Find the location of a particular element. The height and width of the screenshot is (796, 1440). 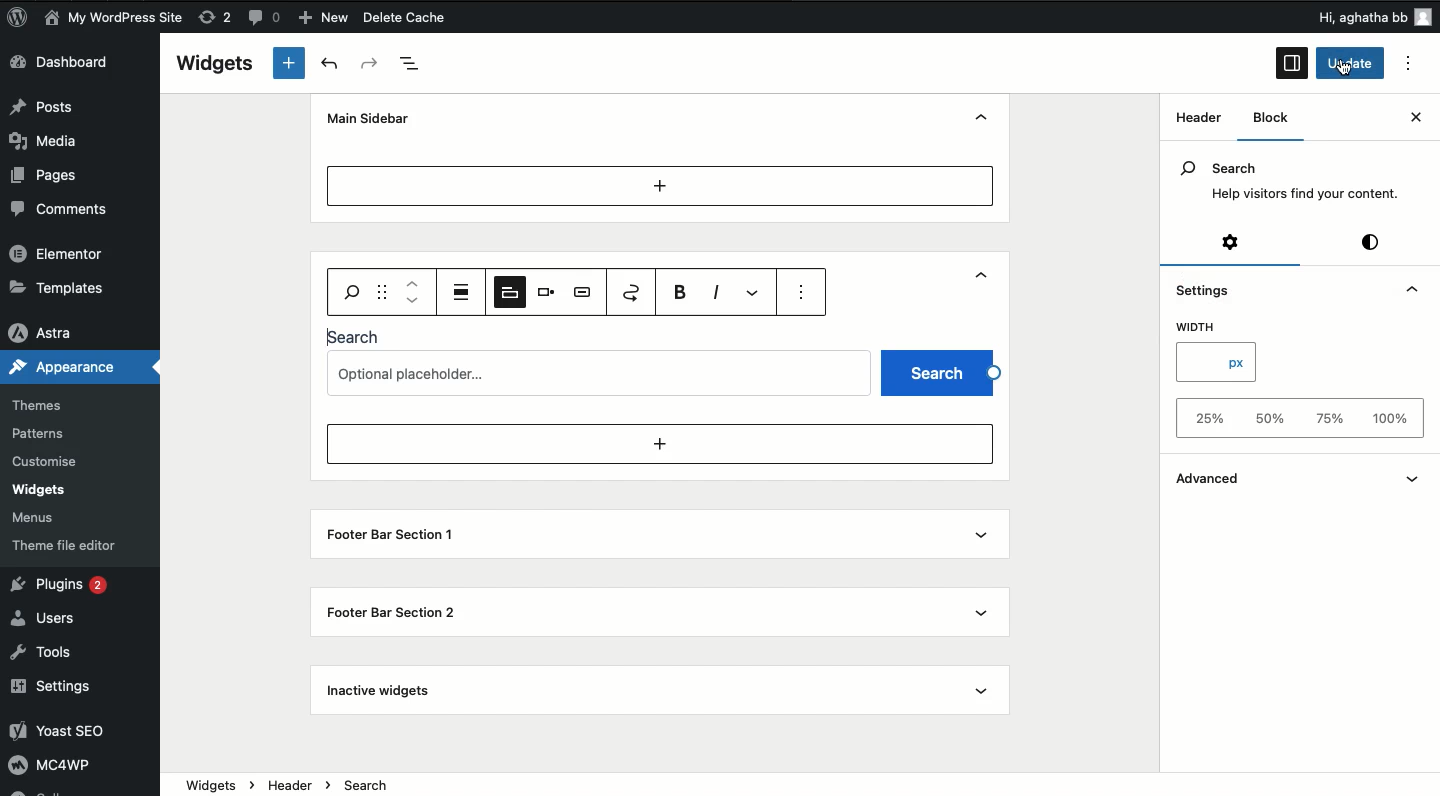

Move to widget areas is located at coordinates (633, 292).